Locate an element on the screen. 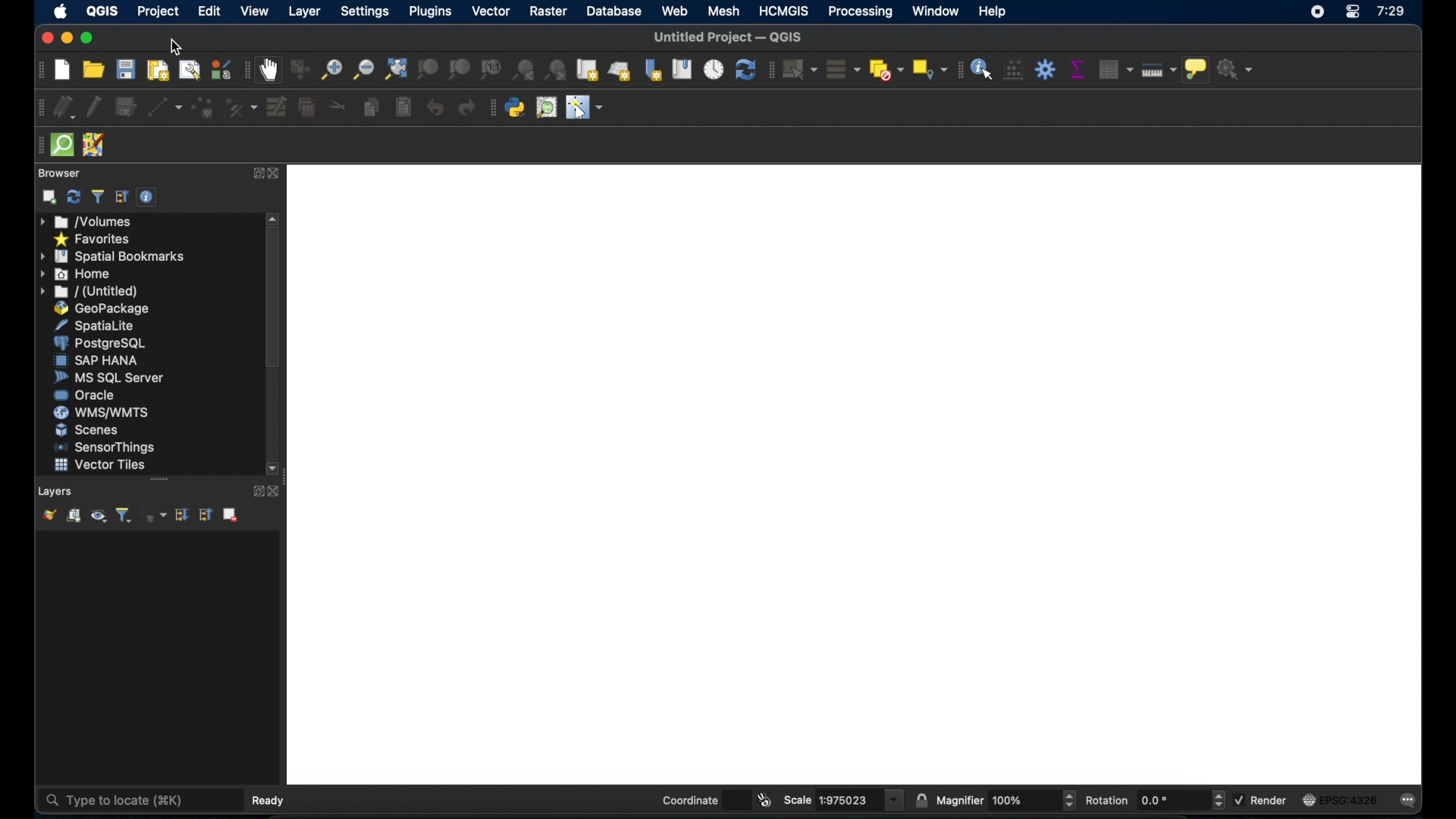 This screenshot has width=1456, height=819. jsom remote is located at coordinates (93, 146).